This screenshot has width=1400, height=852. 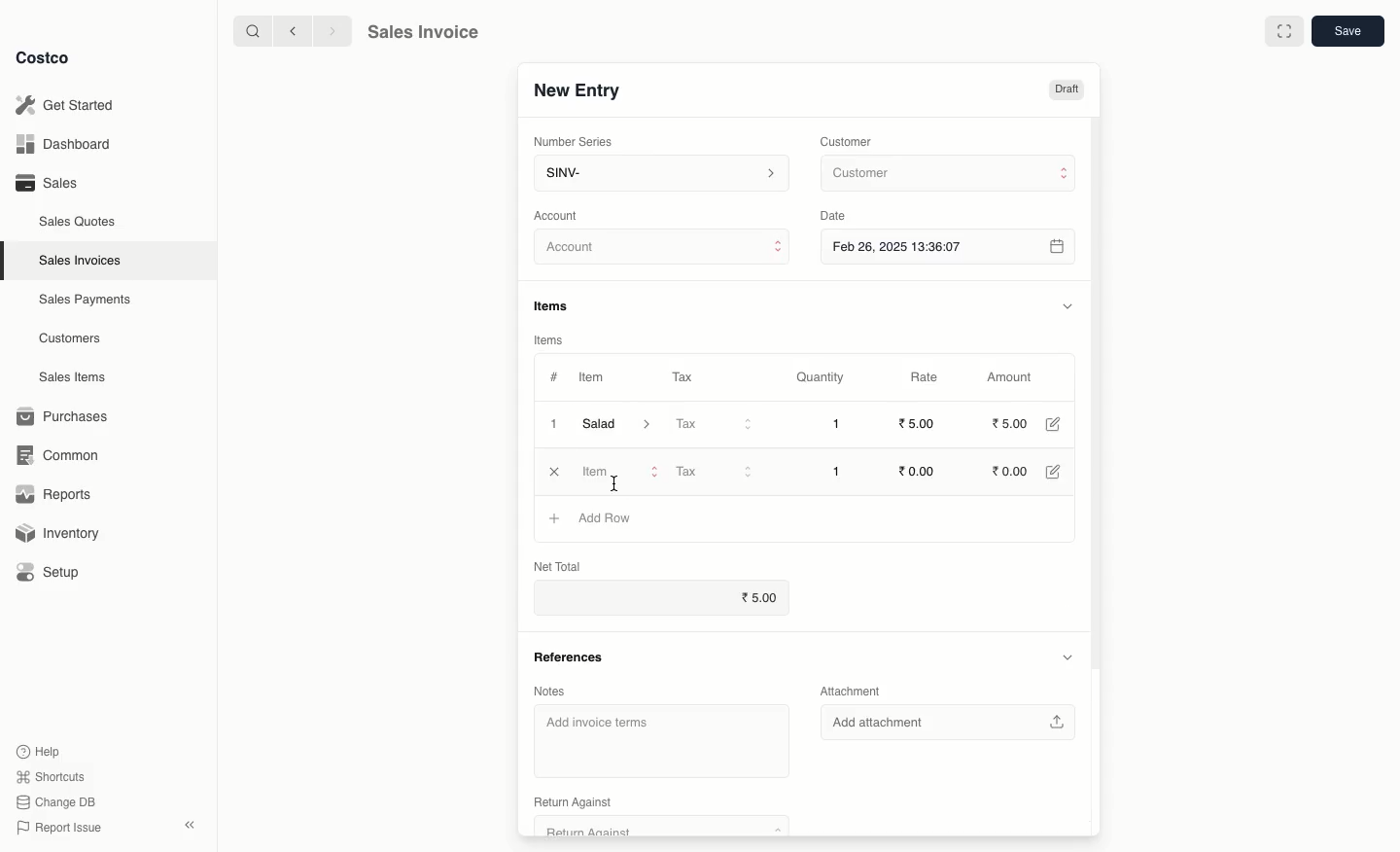 I want to click on Amount, so click(x=1015, y=377).